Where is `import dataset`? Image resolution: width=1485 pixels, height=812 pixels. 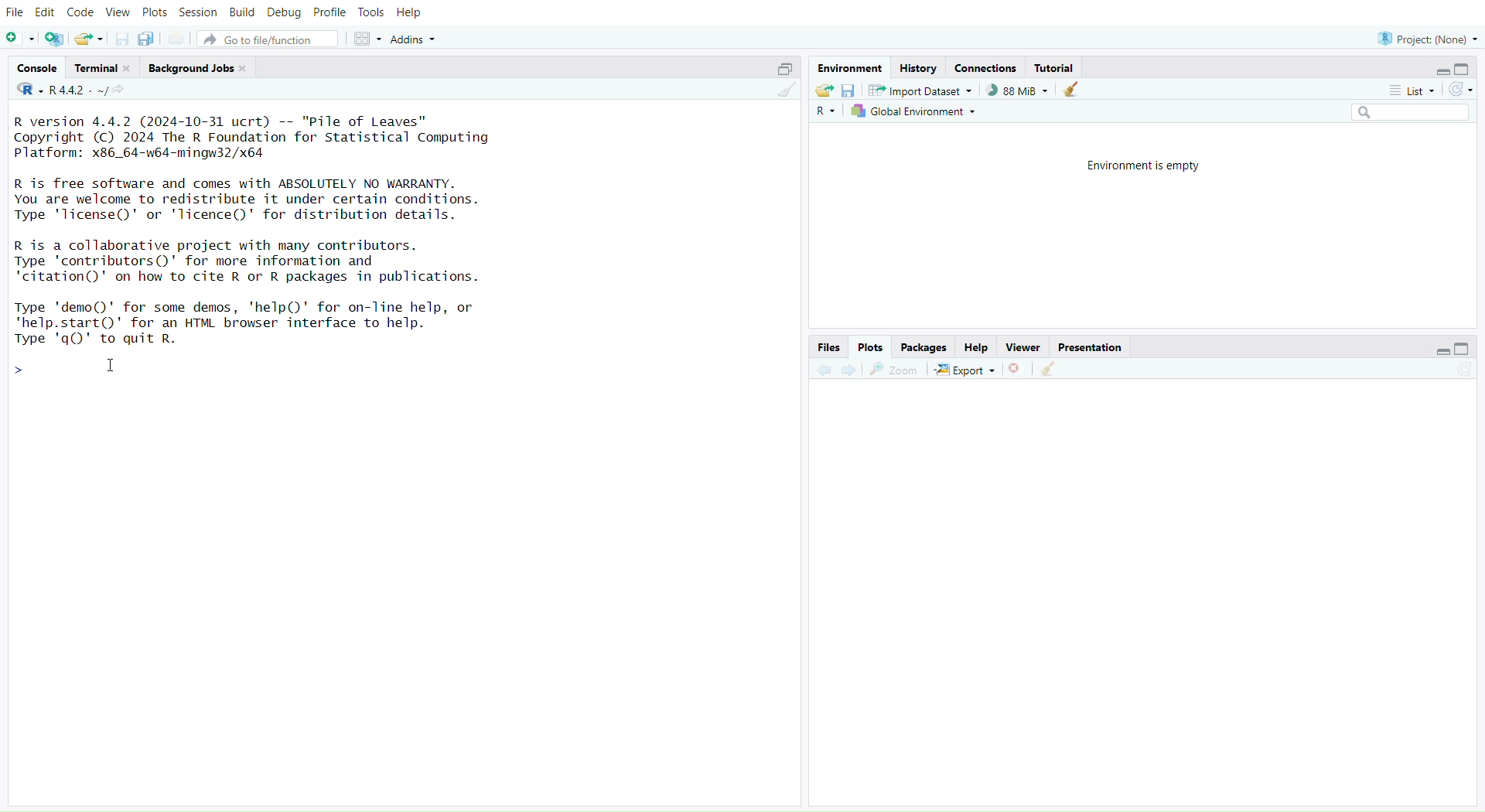
import dataset is located at coordinates (926, 90).